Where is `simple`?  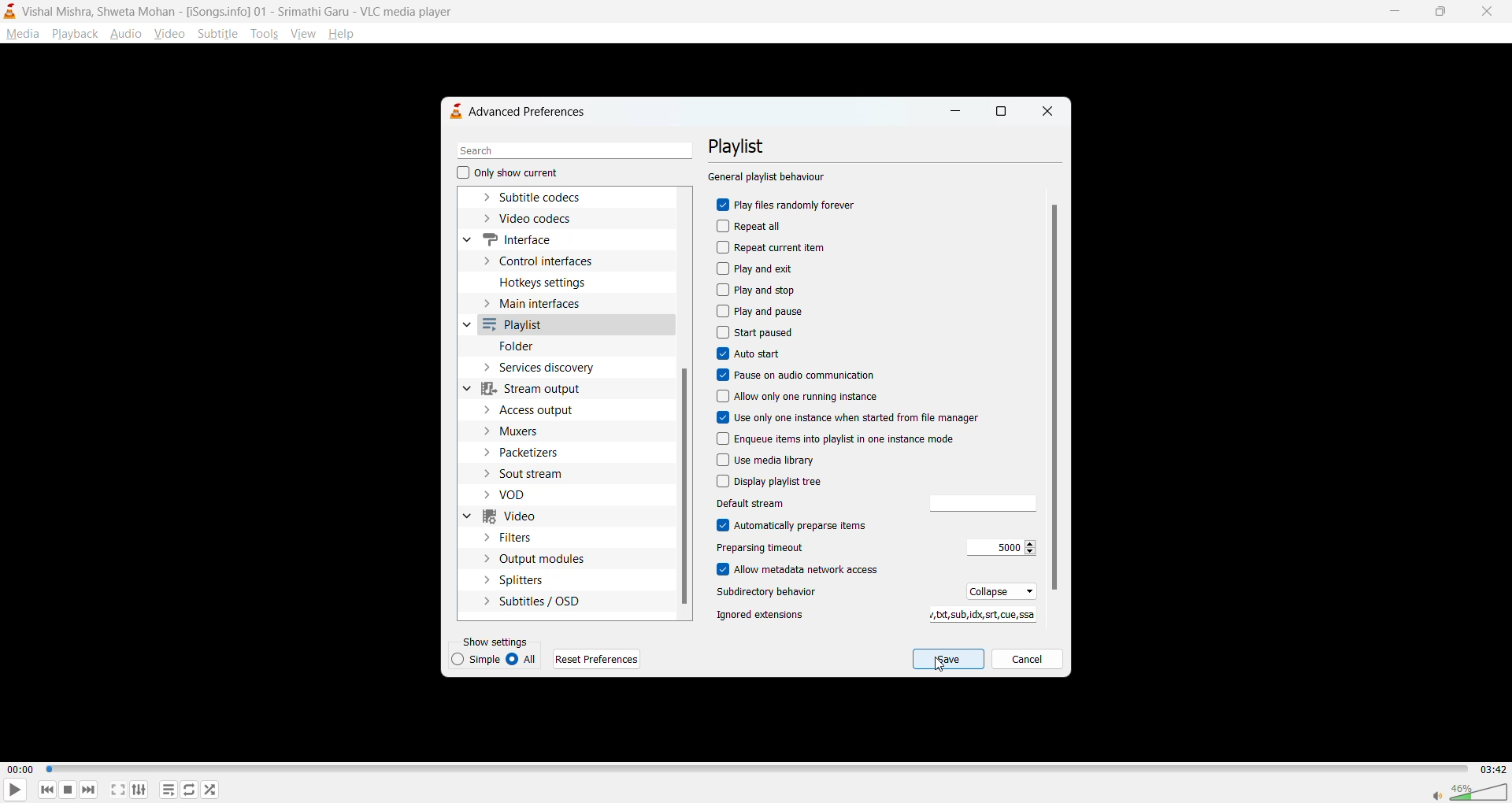 simple is located at coordinates (478, 659).